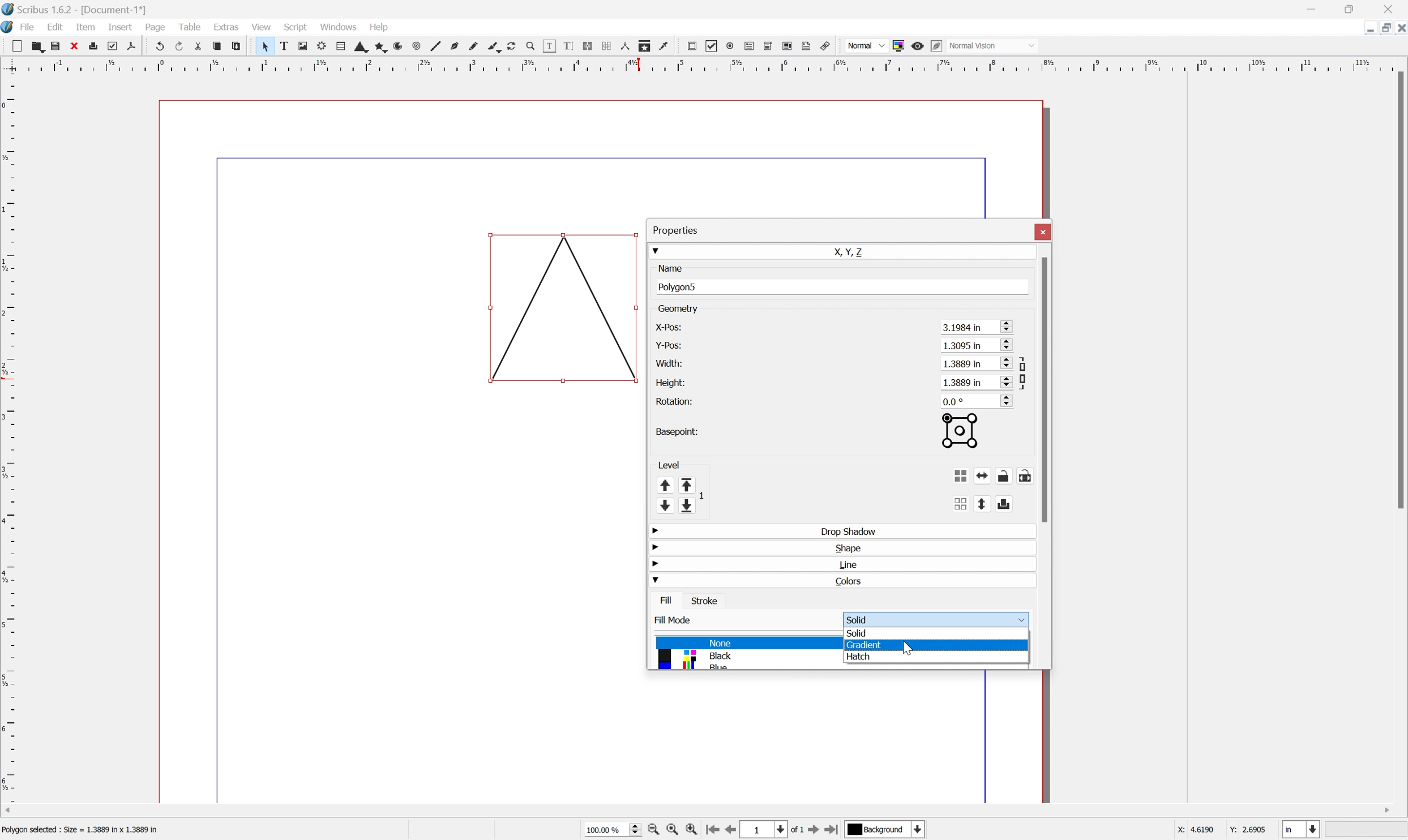 The image size is (1408, 840). I want to click on Unlink Text frames, so click(605, 46).